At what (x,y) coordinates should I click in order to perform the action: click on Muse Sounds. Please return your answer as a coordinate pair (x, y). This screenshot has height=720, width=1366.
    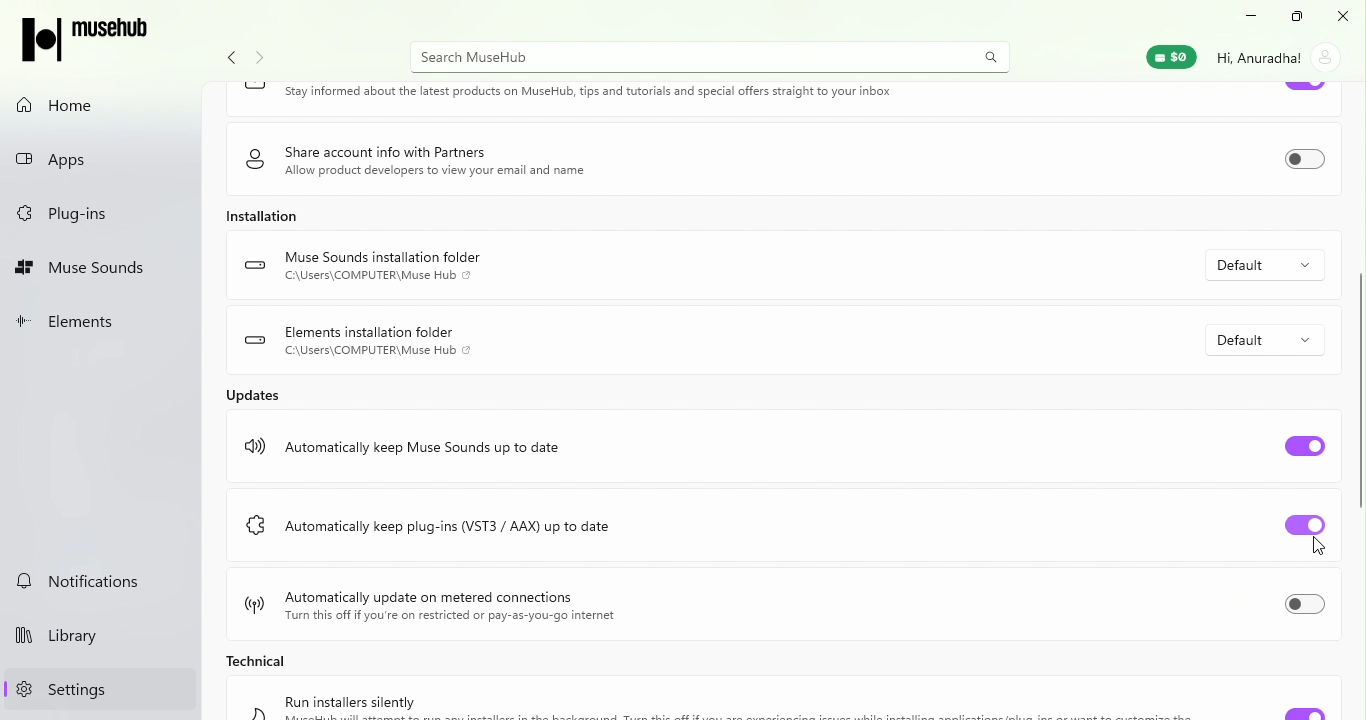
    Looking at the image, I should click on (98, 269).